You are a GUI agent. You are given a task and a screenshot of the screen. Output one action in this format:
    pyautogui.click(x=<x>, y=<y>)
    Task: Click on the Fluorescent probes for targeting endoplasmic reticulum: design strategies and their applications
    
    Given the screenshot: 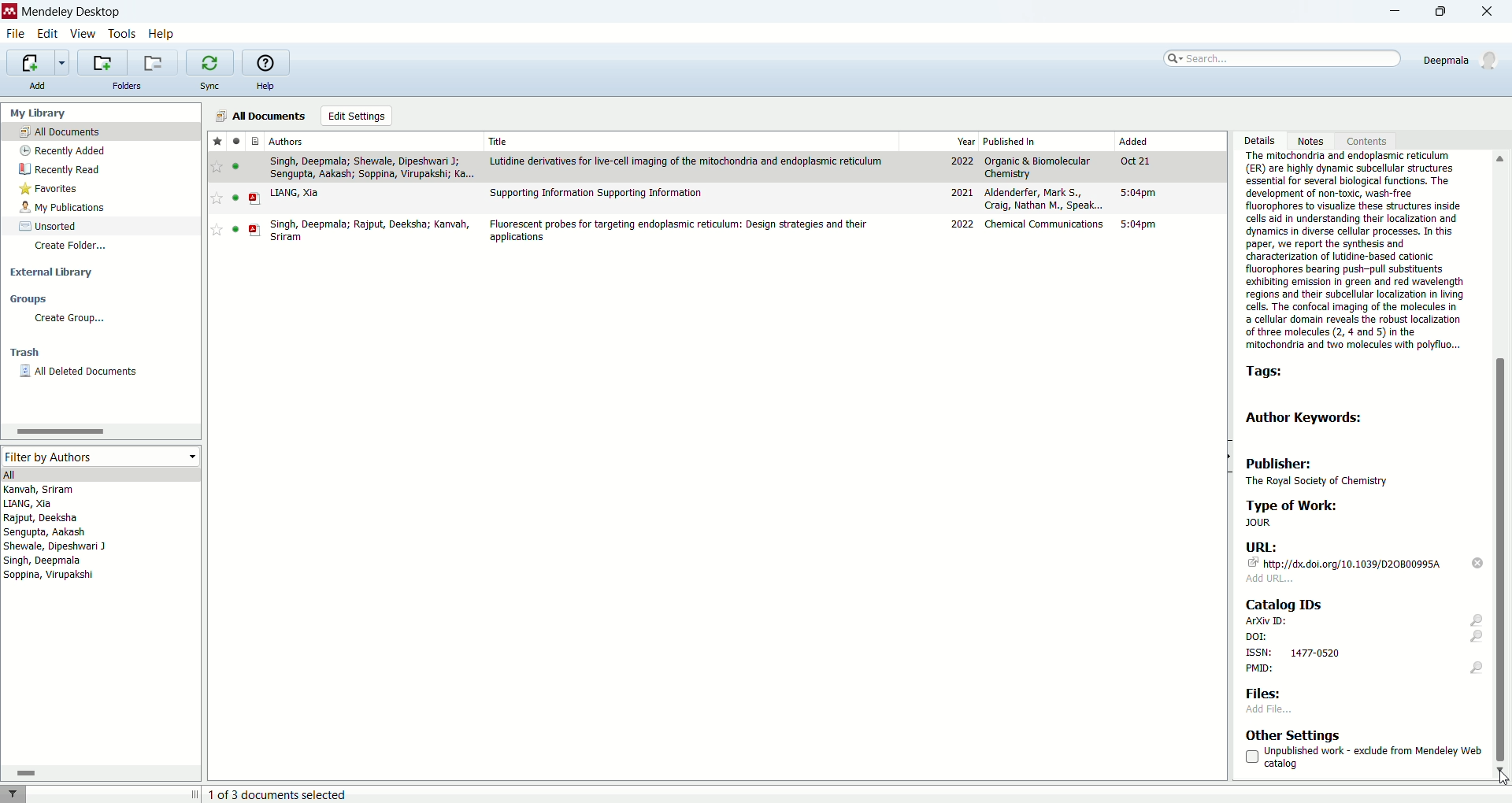 What is the action you would take?
    pyautogui.click(x=677, y=231)
    